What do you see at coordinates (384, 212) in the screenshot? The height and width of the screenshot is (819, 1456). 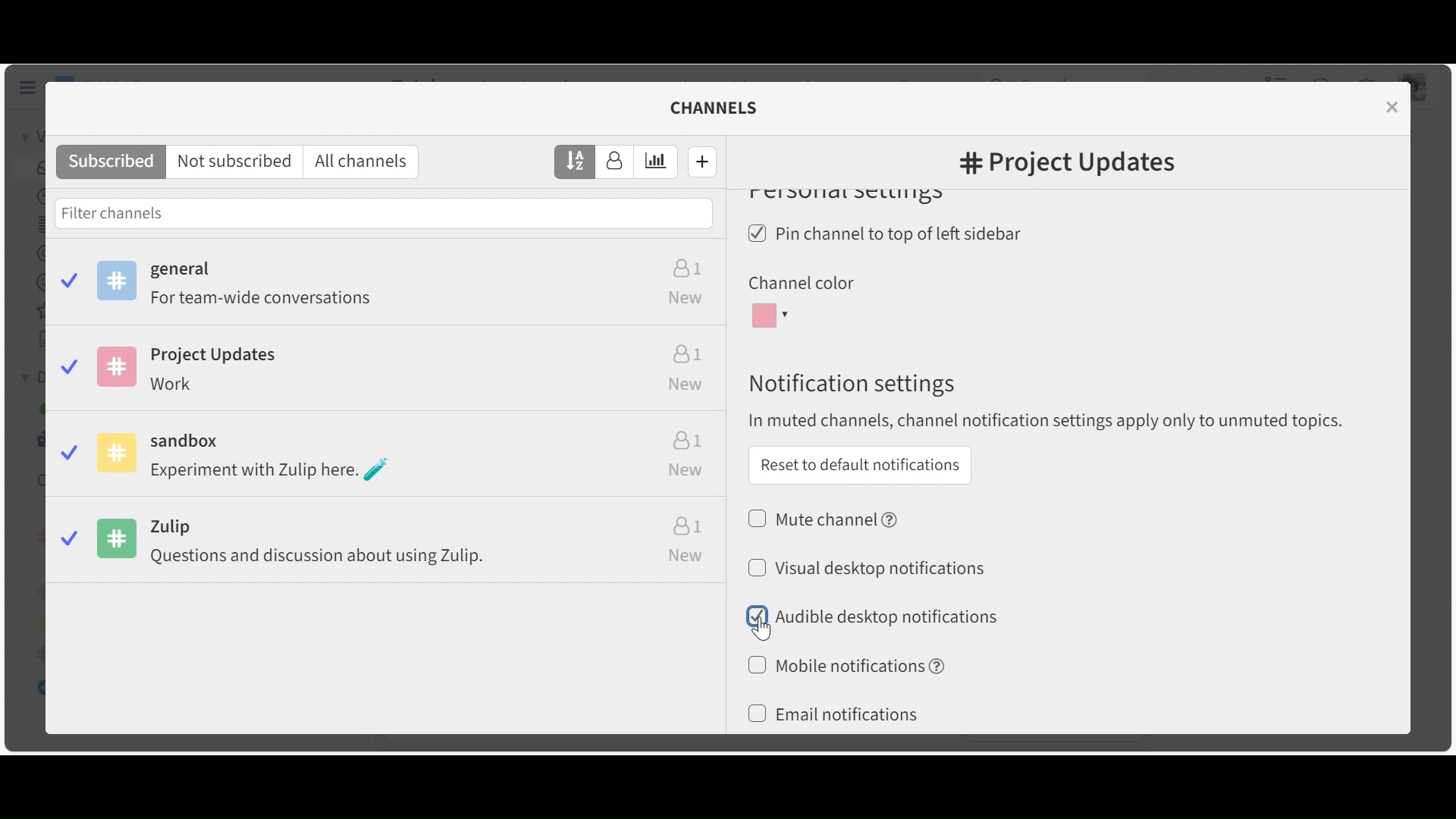 I see `Filter channels` at bounding box center [384, 212].